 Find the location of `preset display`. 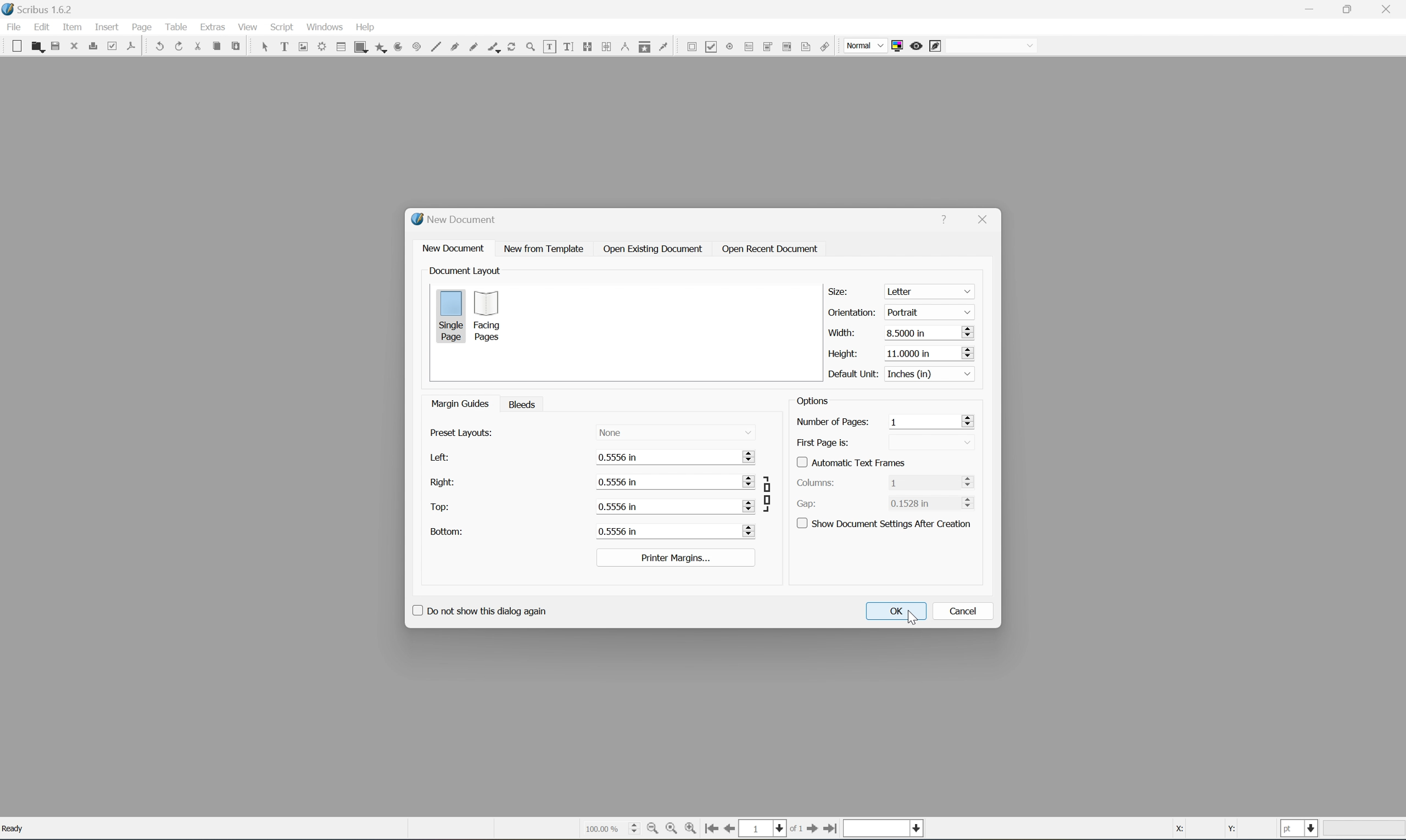

preset display is located at coordinates (465, 432).